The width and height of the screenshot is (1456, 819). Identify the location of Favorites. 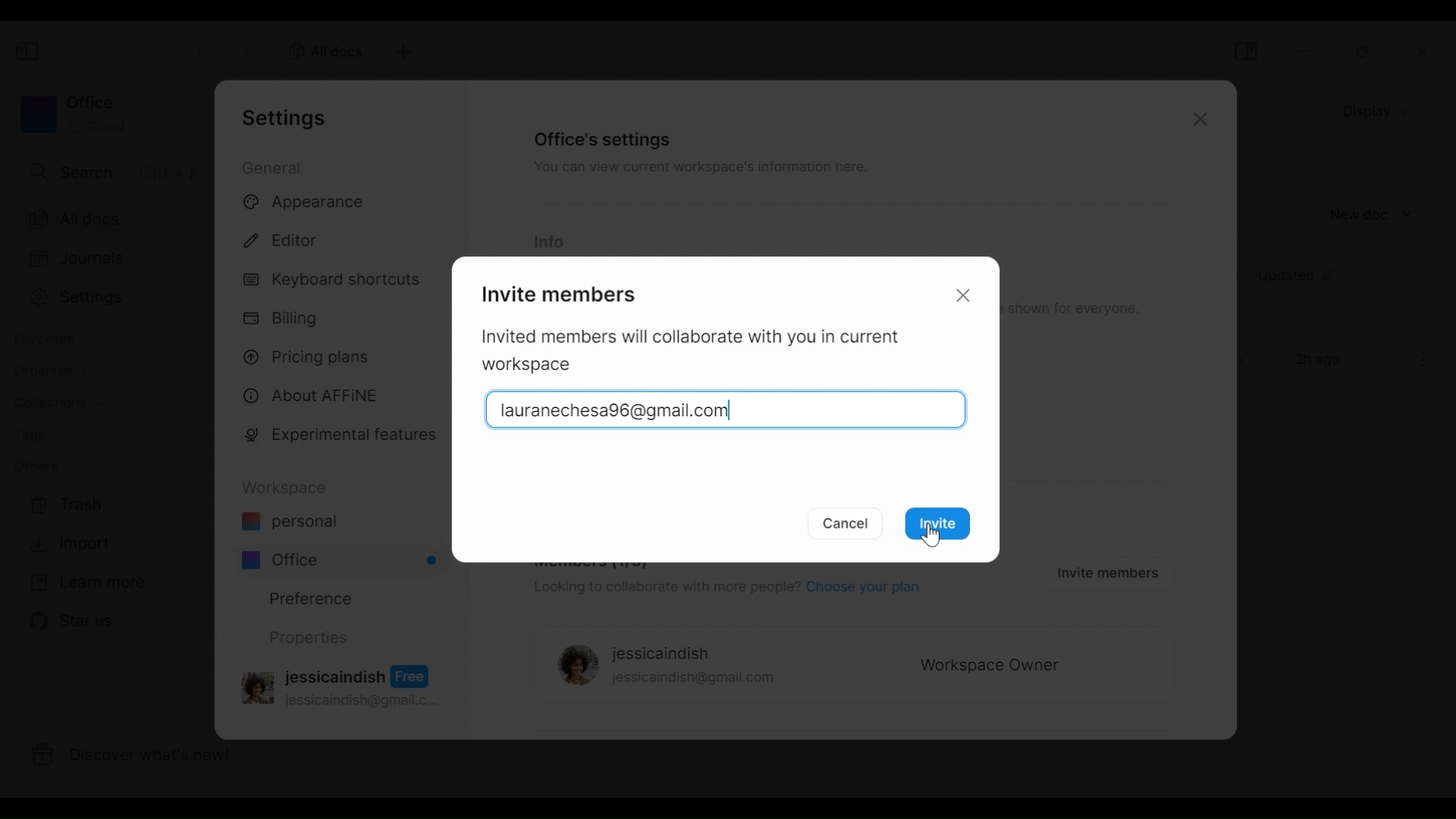
(49, 339).